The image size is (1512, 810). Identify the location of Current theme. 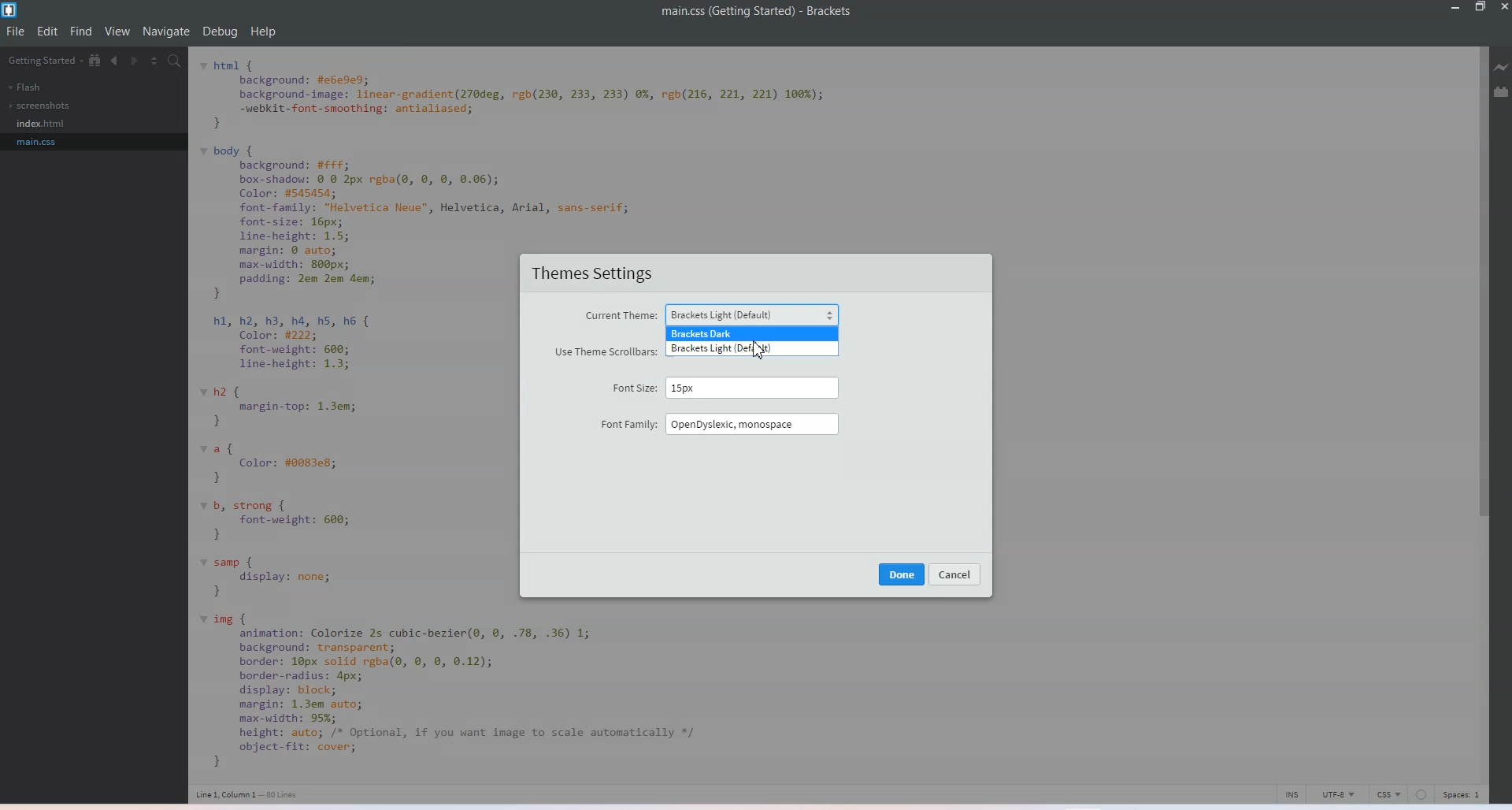
(617, 314).